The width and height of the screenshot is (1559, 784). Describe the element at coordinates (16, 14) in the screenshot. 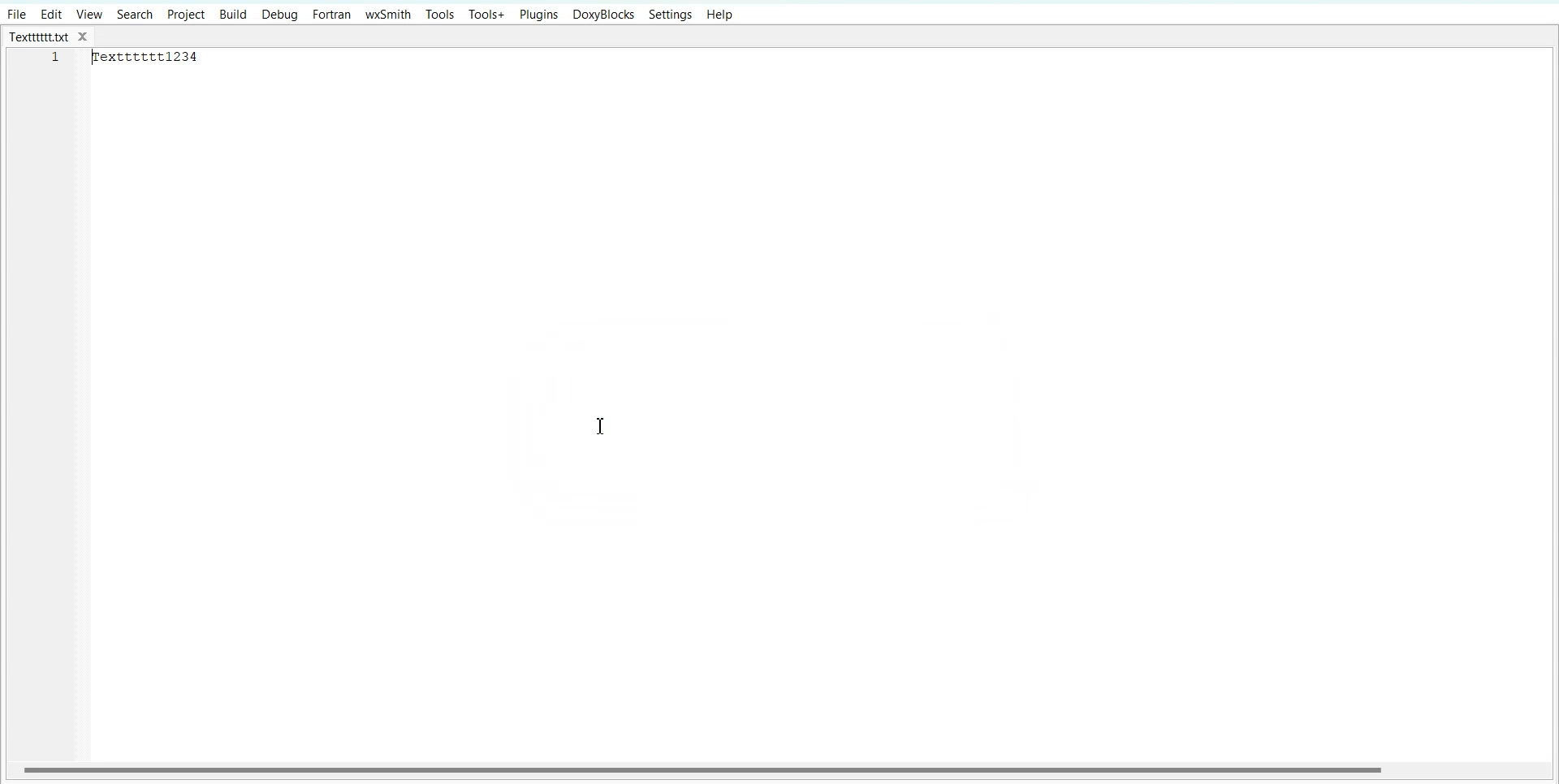

I see `File` at that location.